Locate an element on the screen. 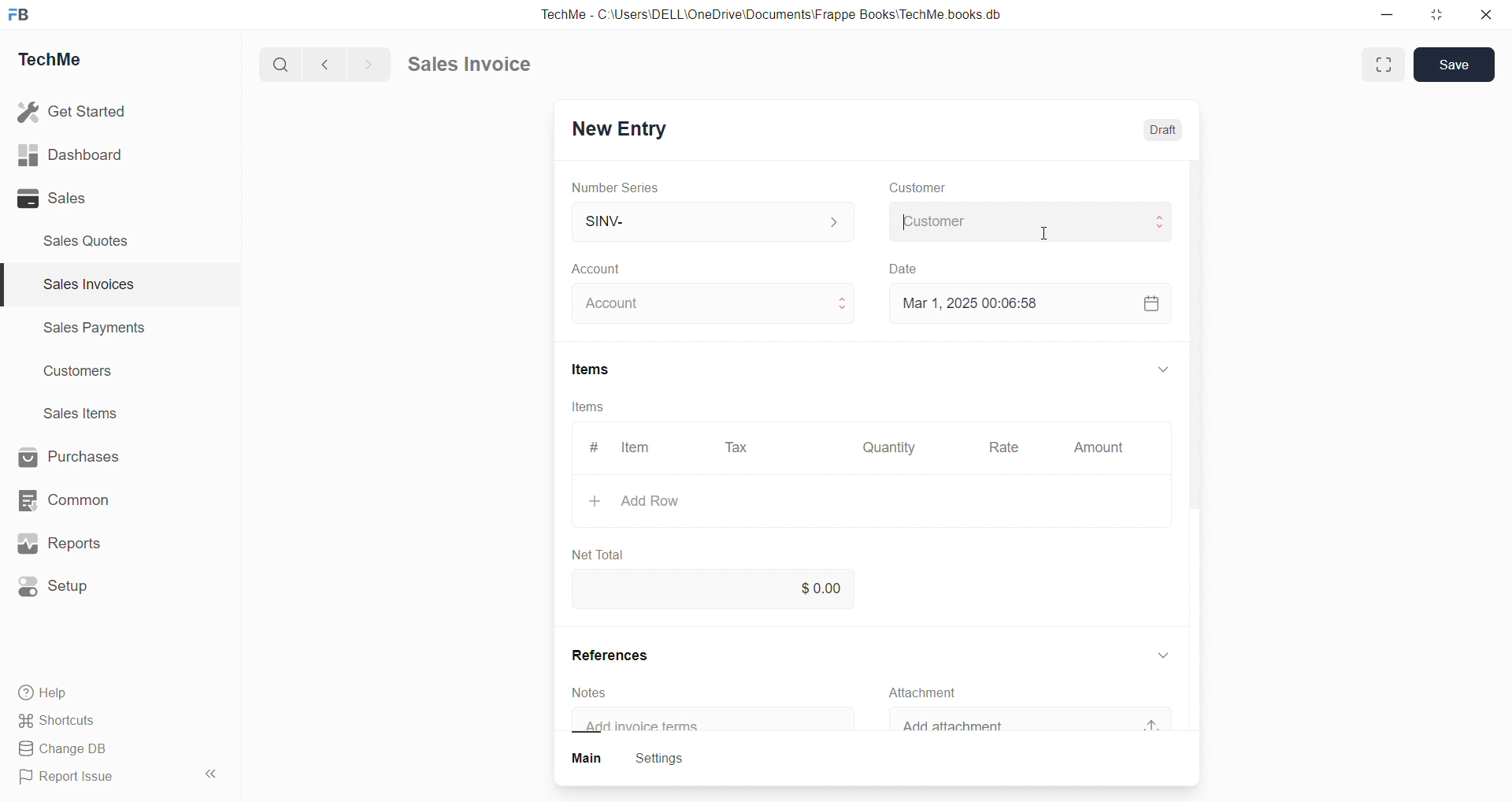 The height and width of the screenshot is (802, 1512). « is located at coordinates (212, 771).